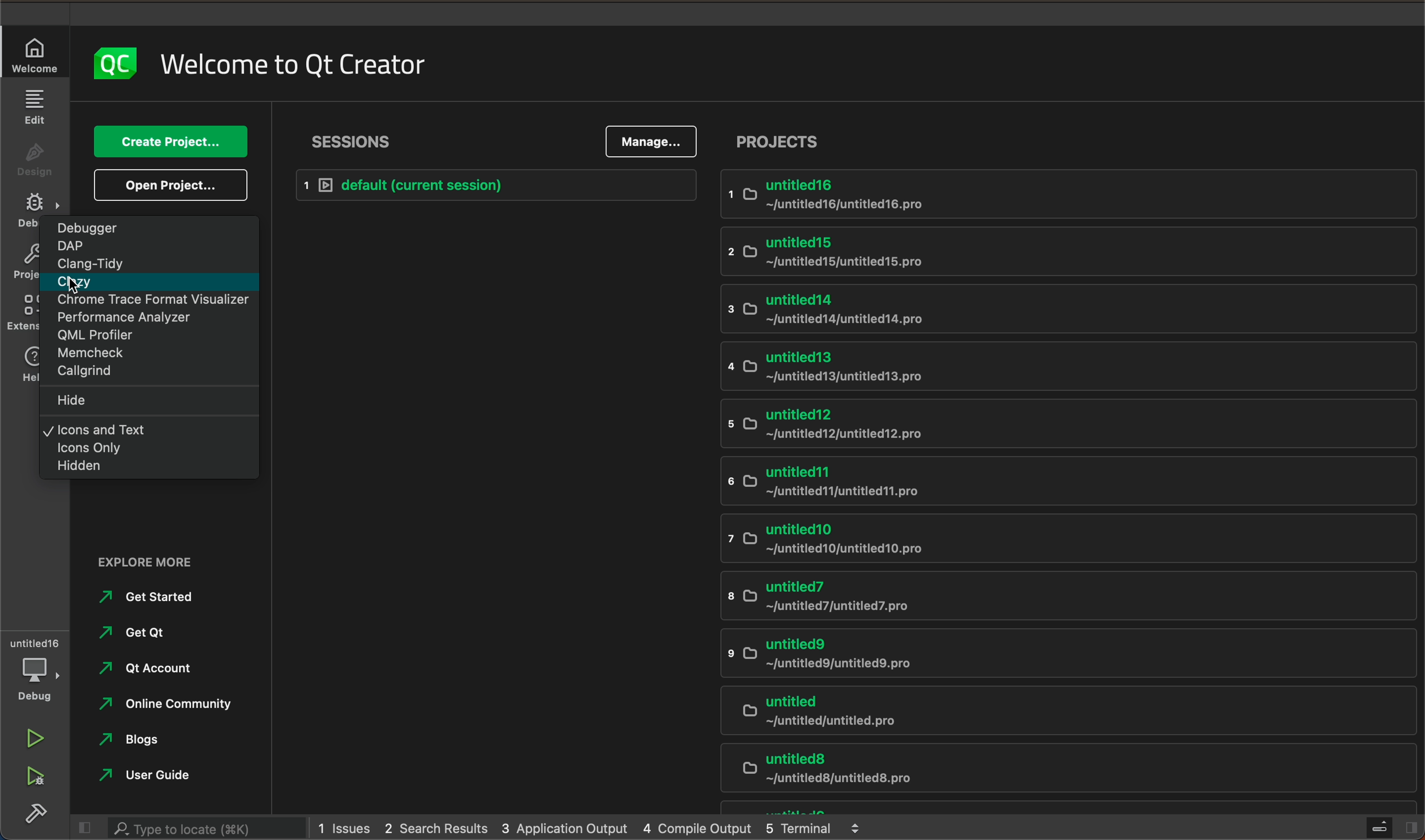 This screenshot has height=840, width=1425. What do you see at coordinates (35, 668) in the screenshot?
I see `debug` at bounding box center [35, 668].